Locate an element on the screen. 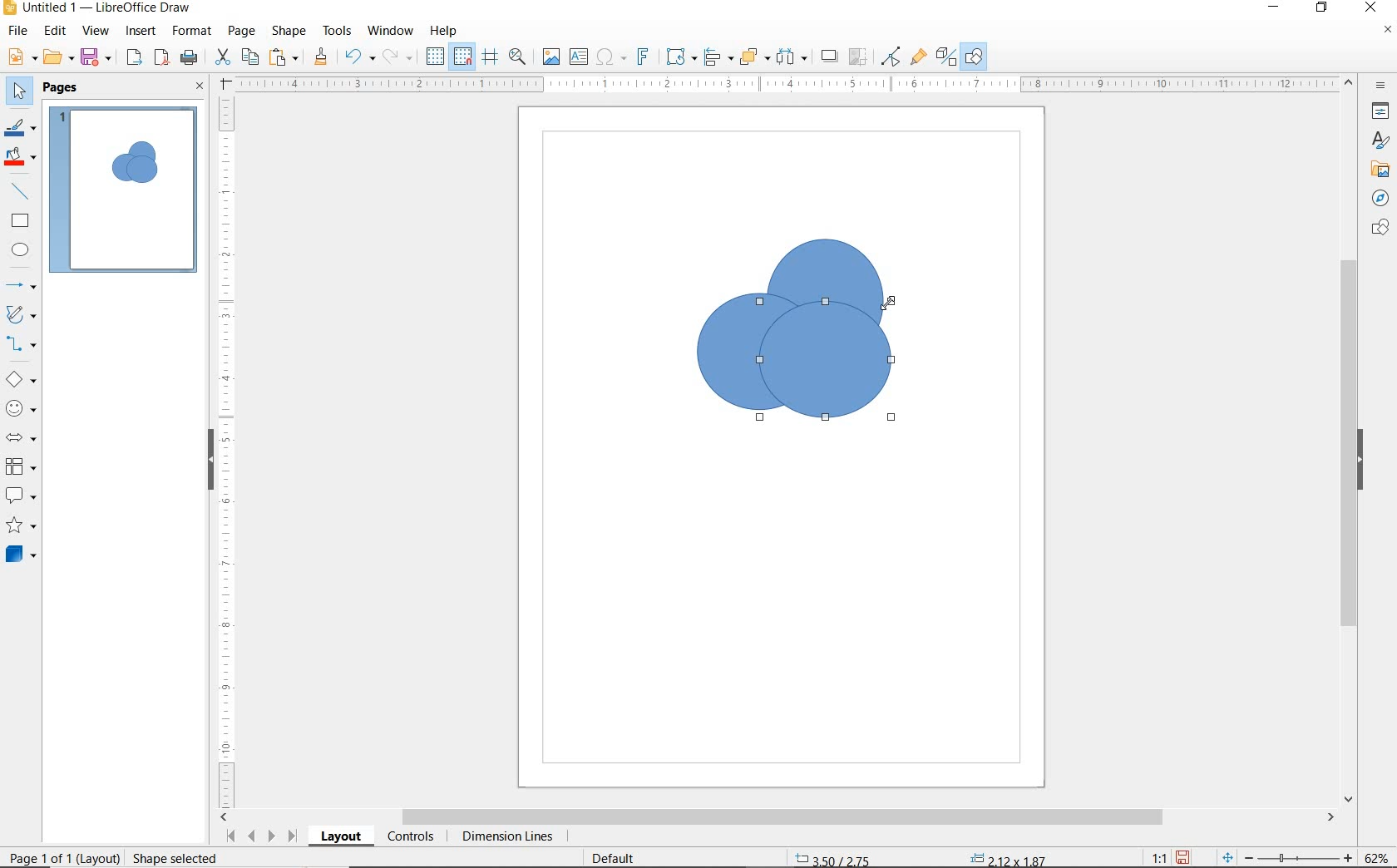 This screenshot has width=1397, height=868. CLOSE DOCUMENT is located at coordinates (1387, 32).